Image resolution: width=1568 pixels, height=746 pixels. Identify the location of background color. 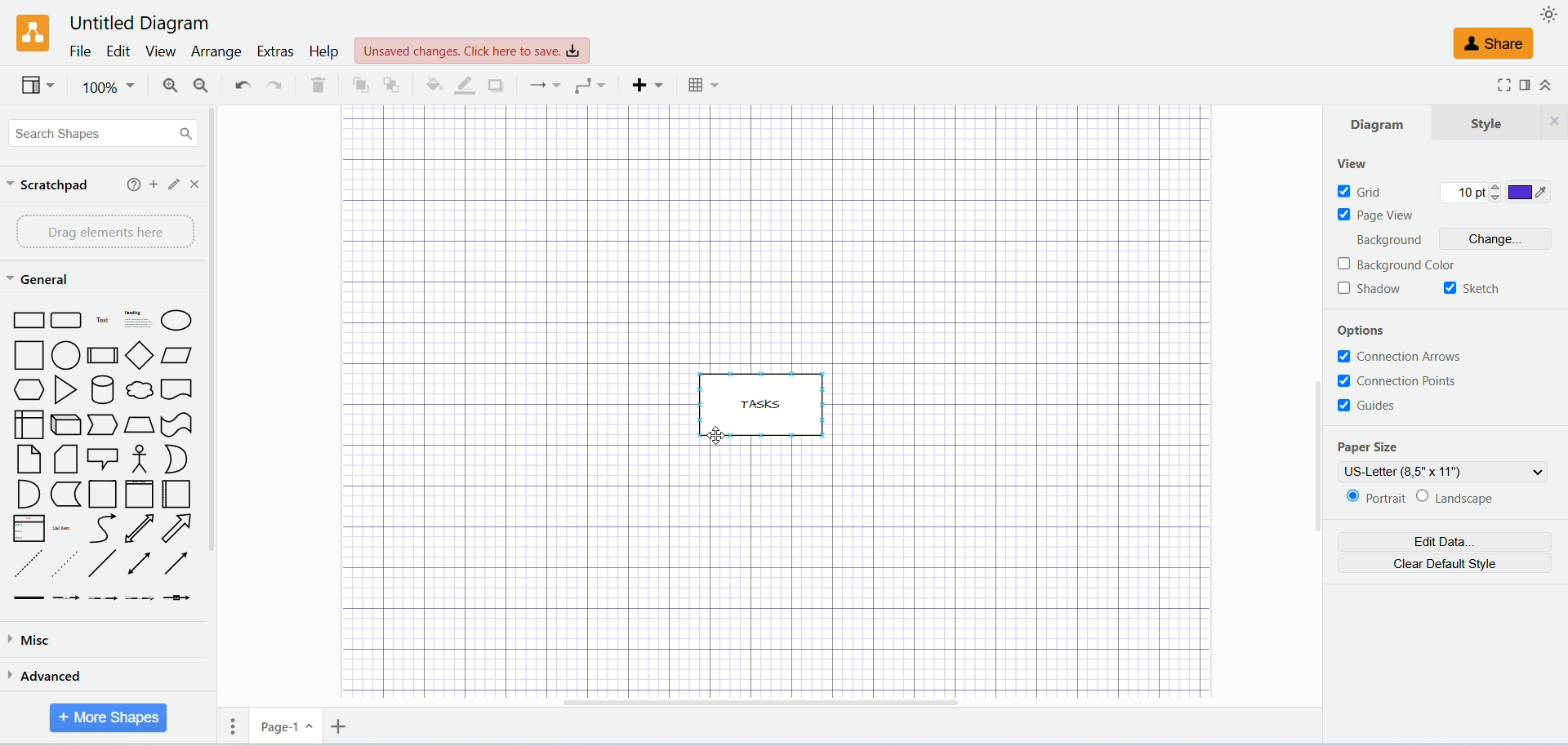
(1405, 265).